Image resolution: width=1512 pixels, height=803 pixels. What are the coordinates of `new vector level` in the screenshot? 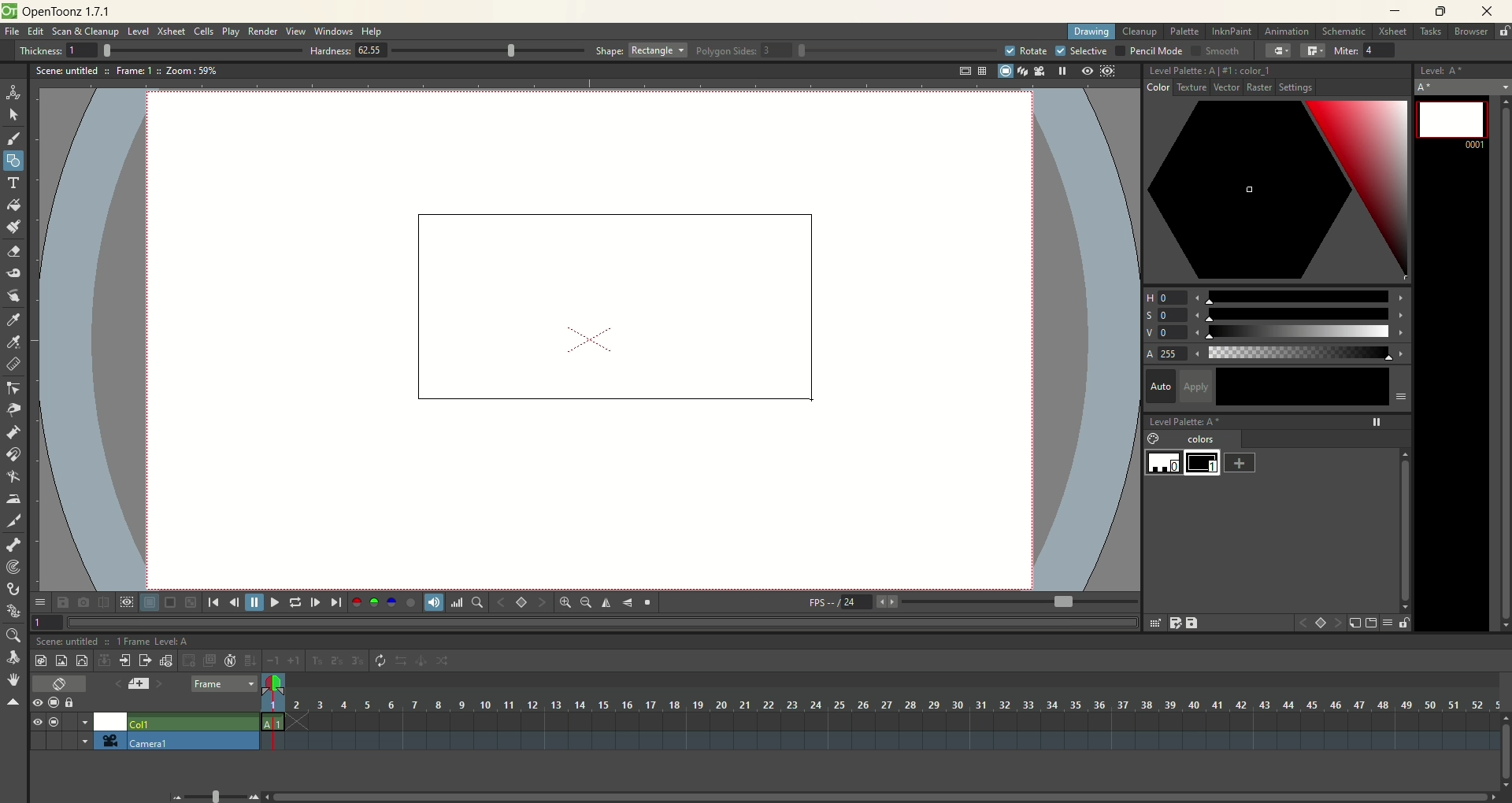 It's located at (82, 661).